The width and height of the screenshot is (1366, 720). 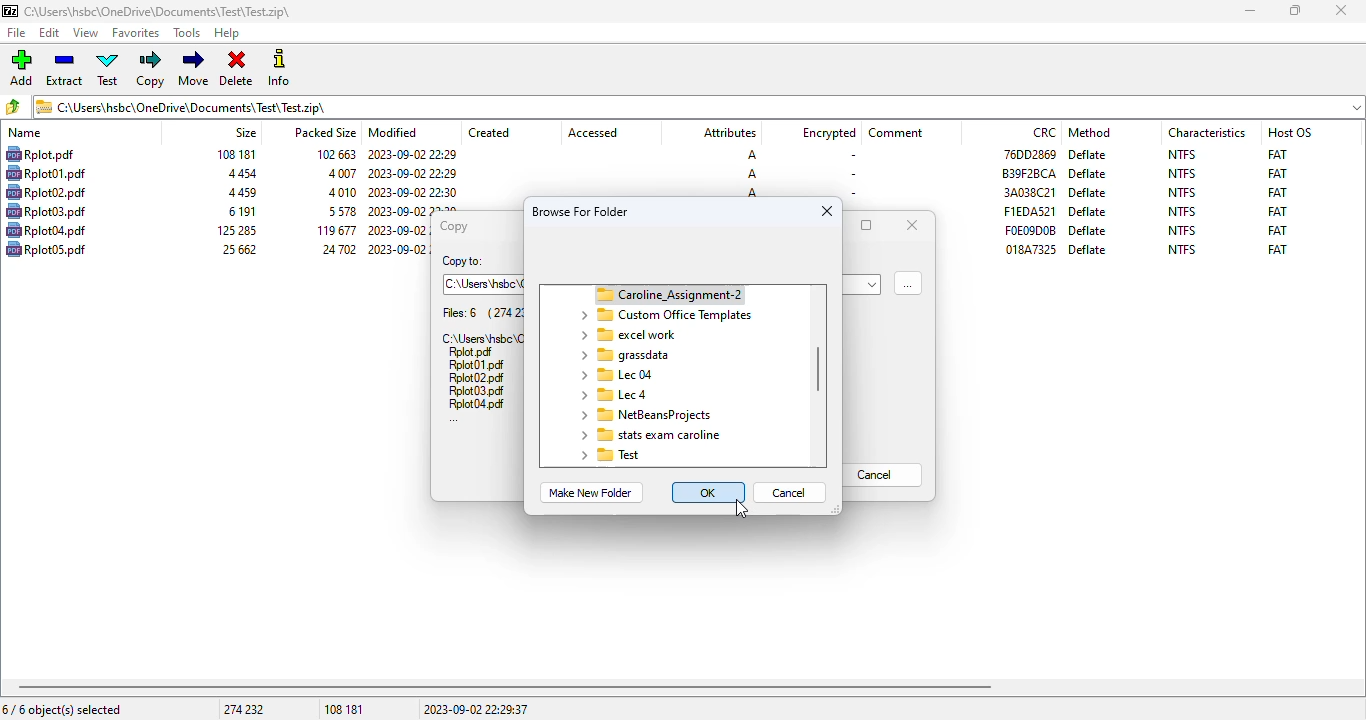 I want to click on horizontal scroll bar, so click(x=505, y=687).